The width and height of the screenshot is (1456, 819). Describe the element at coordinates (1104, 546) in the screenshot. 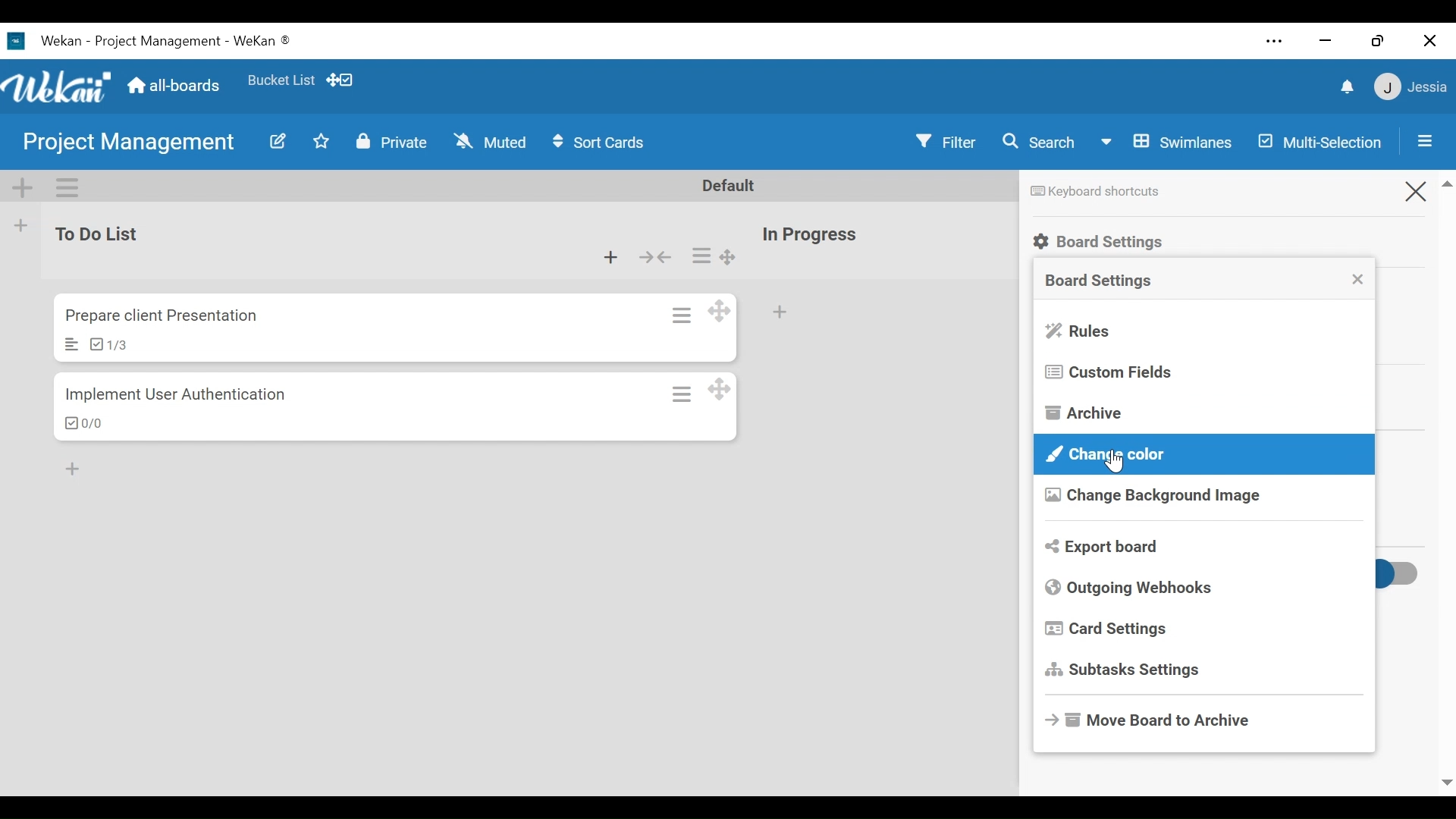

I see `Export board` at that location.